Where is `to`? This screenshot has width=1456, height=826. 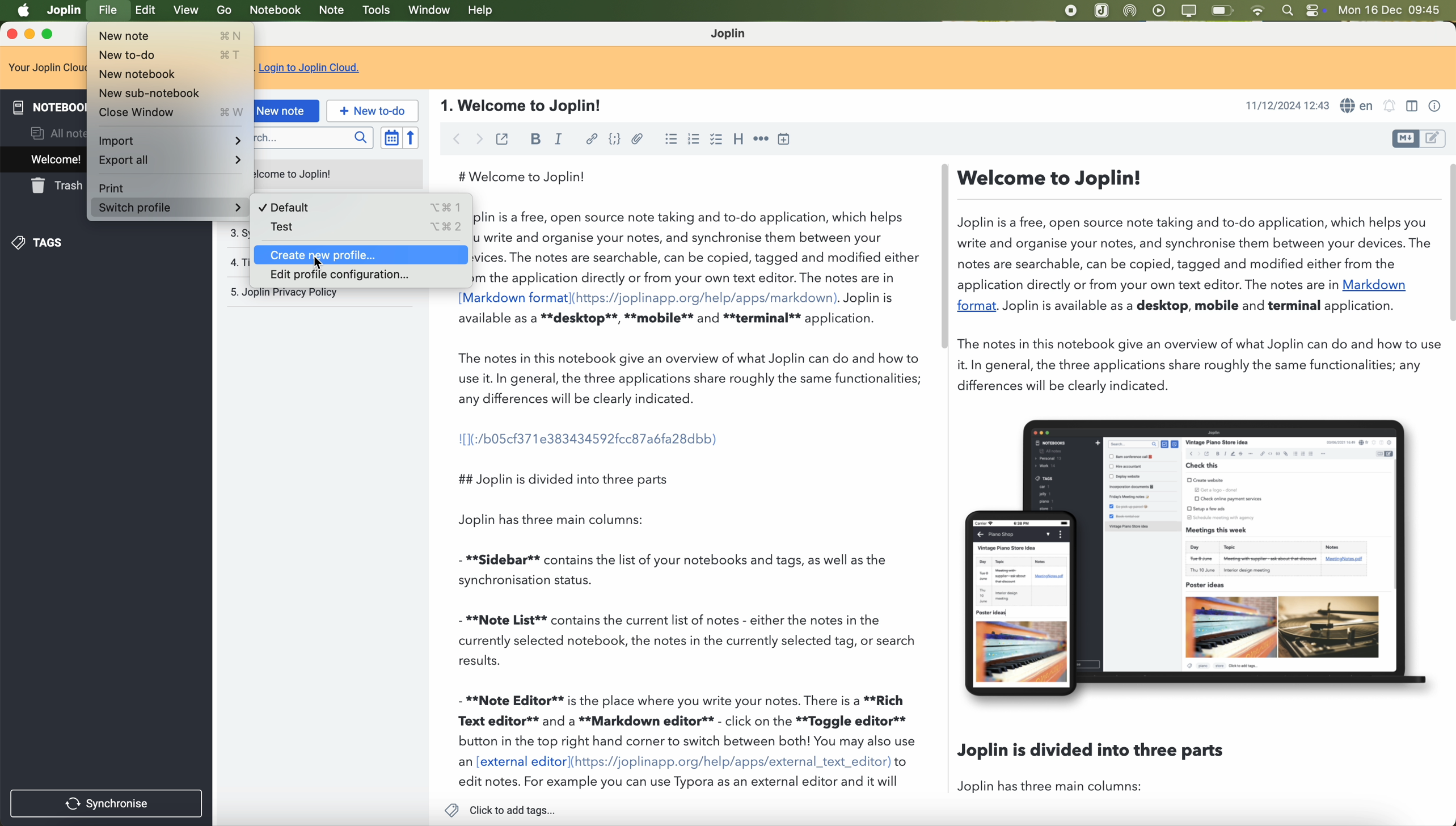
to is located at coordinates (902, 762).